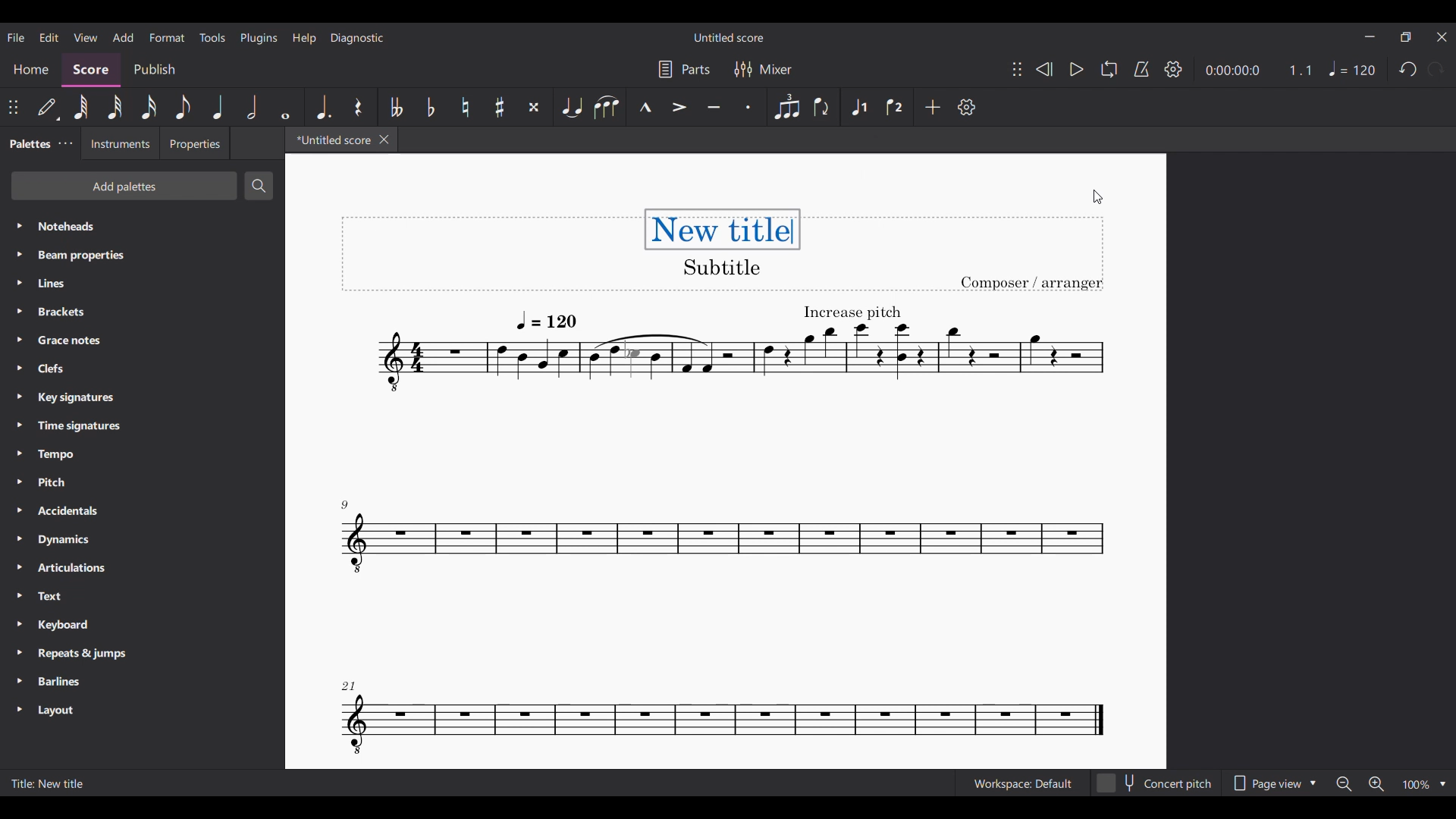  What do you see at coordinates (218, 107) in the screenshot?
I see `Quarter note` at bounding box center [218, 107].